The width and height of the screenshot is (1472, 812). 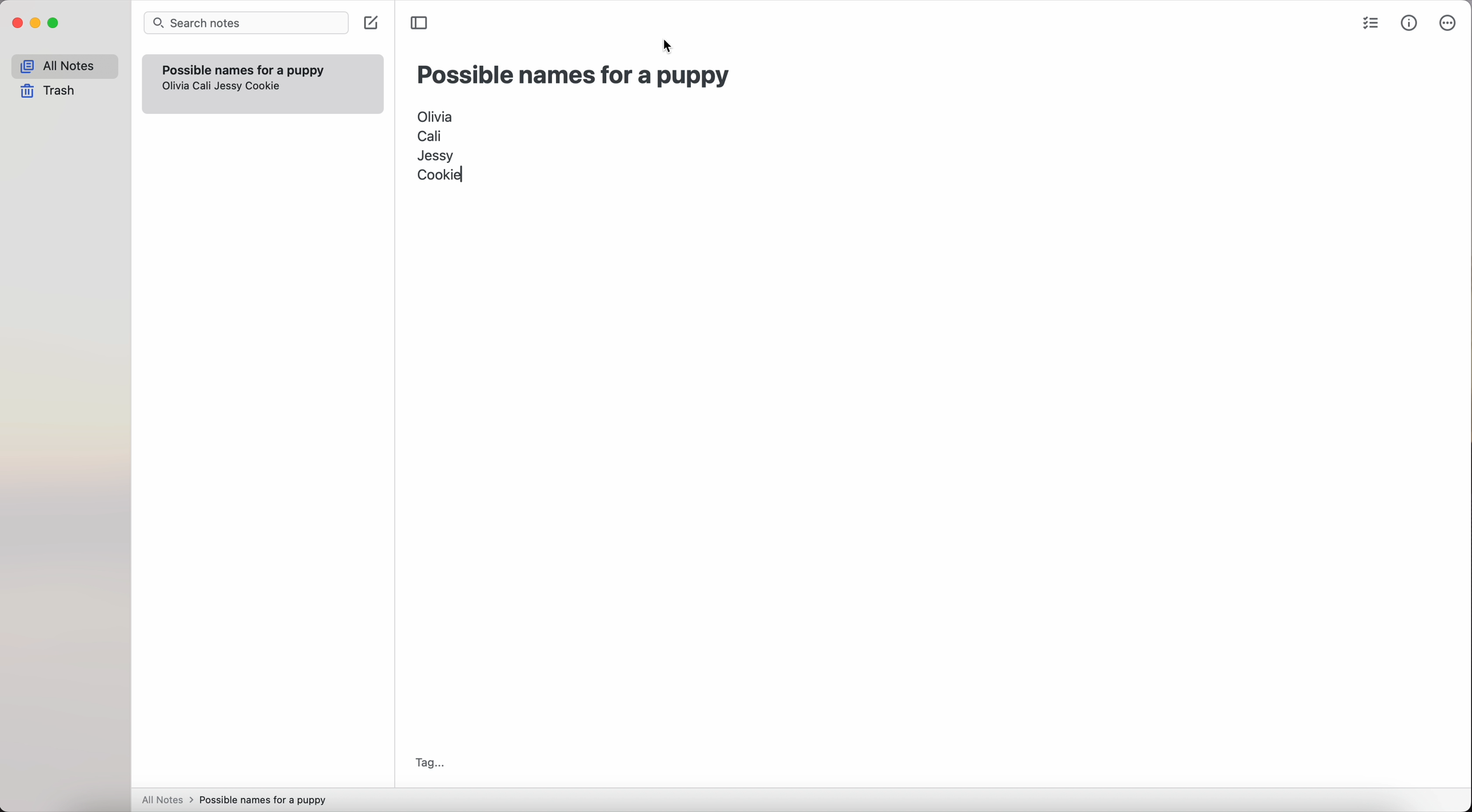 I want to click on minimize, so click(x=36, y=24).